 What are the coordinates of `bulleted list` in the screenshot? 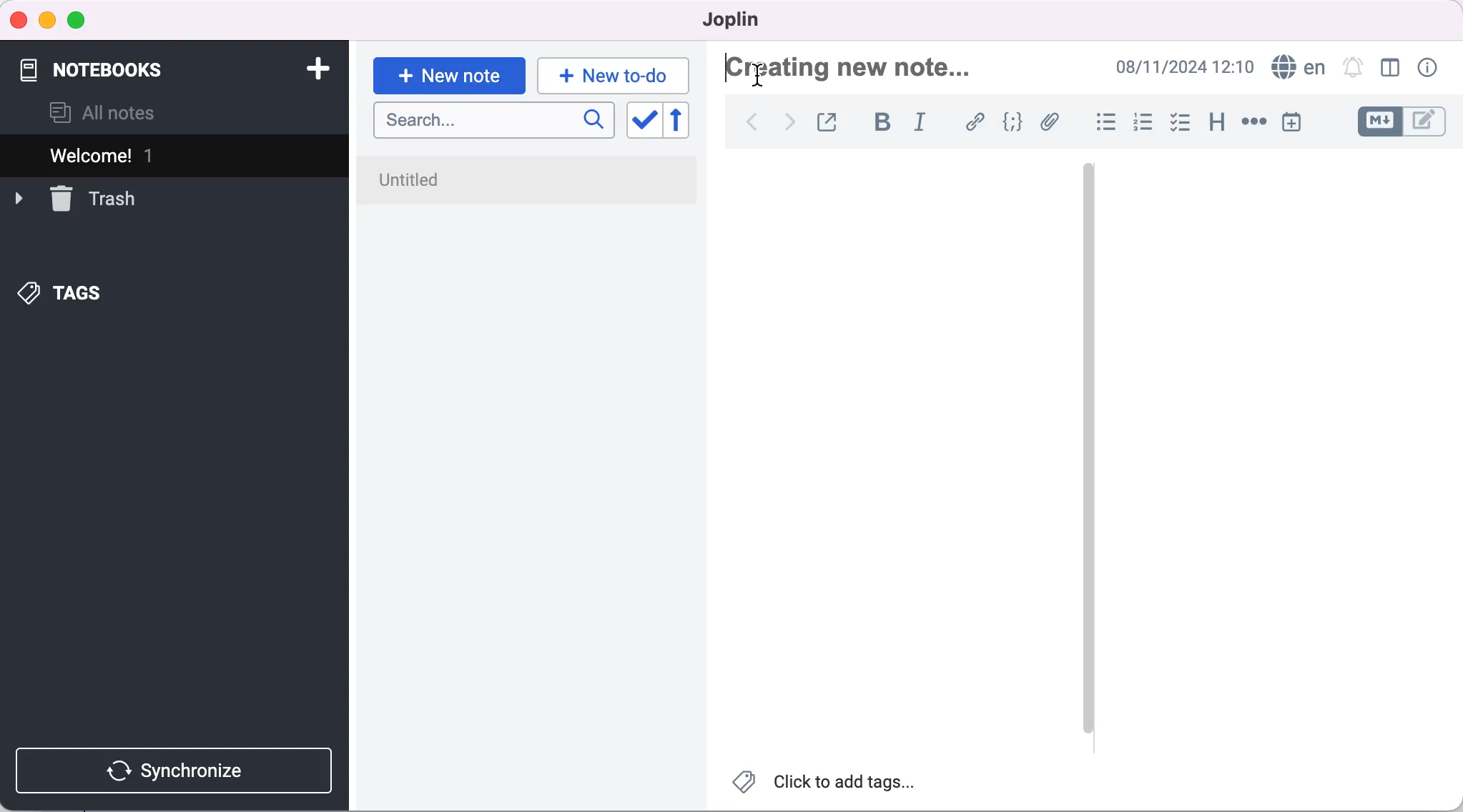 It's located at (1105, 122).